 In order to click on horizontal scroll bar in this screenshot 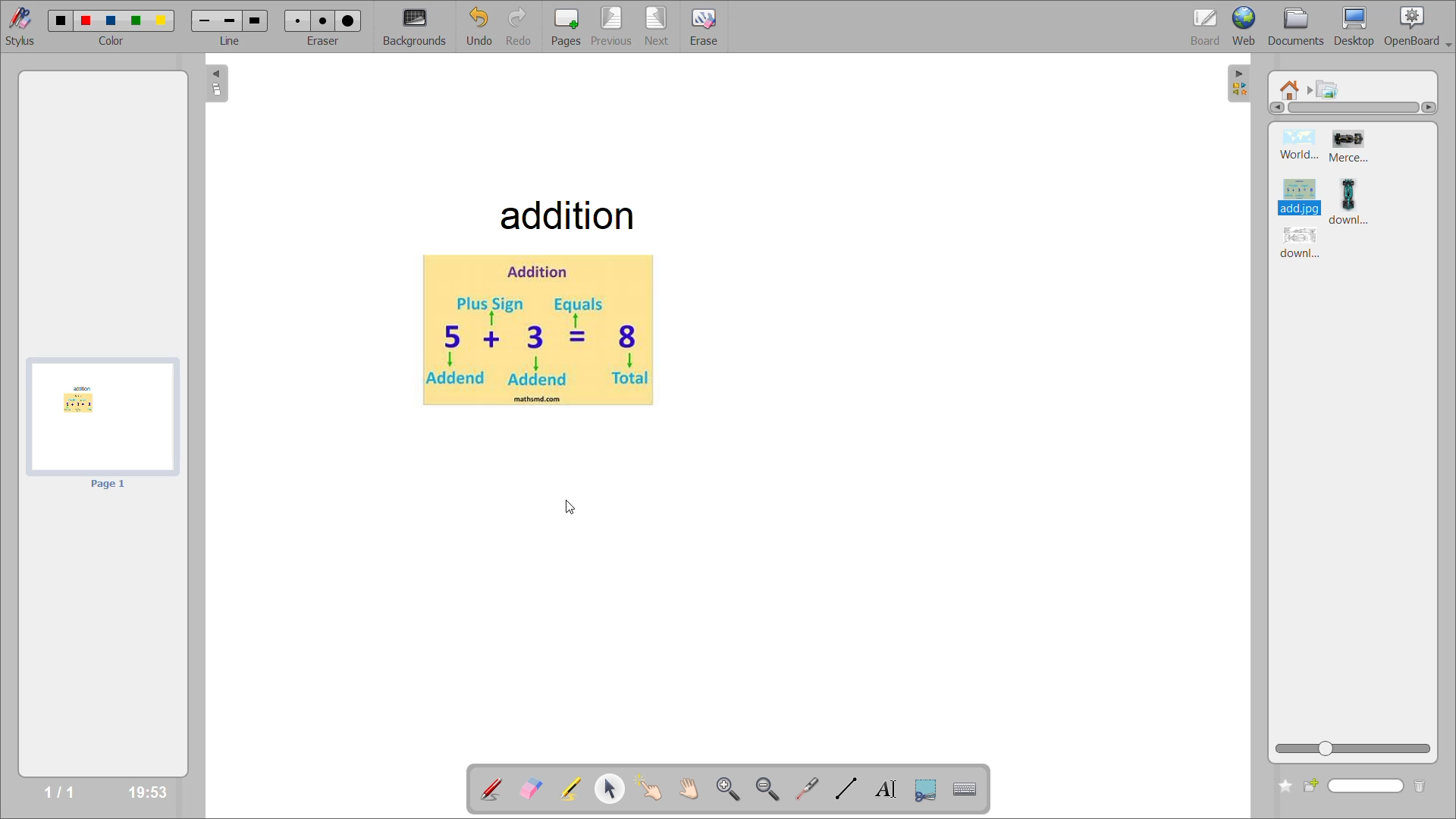, I will do `click(1354, 108)`.